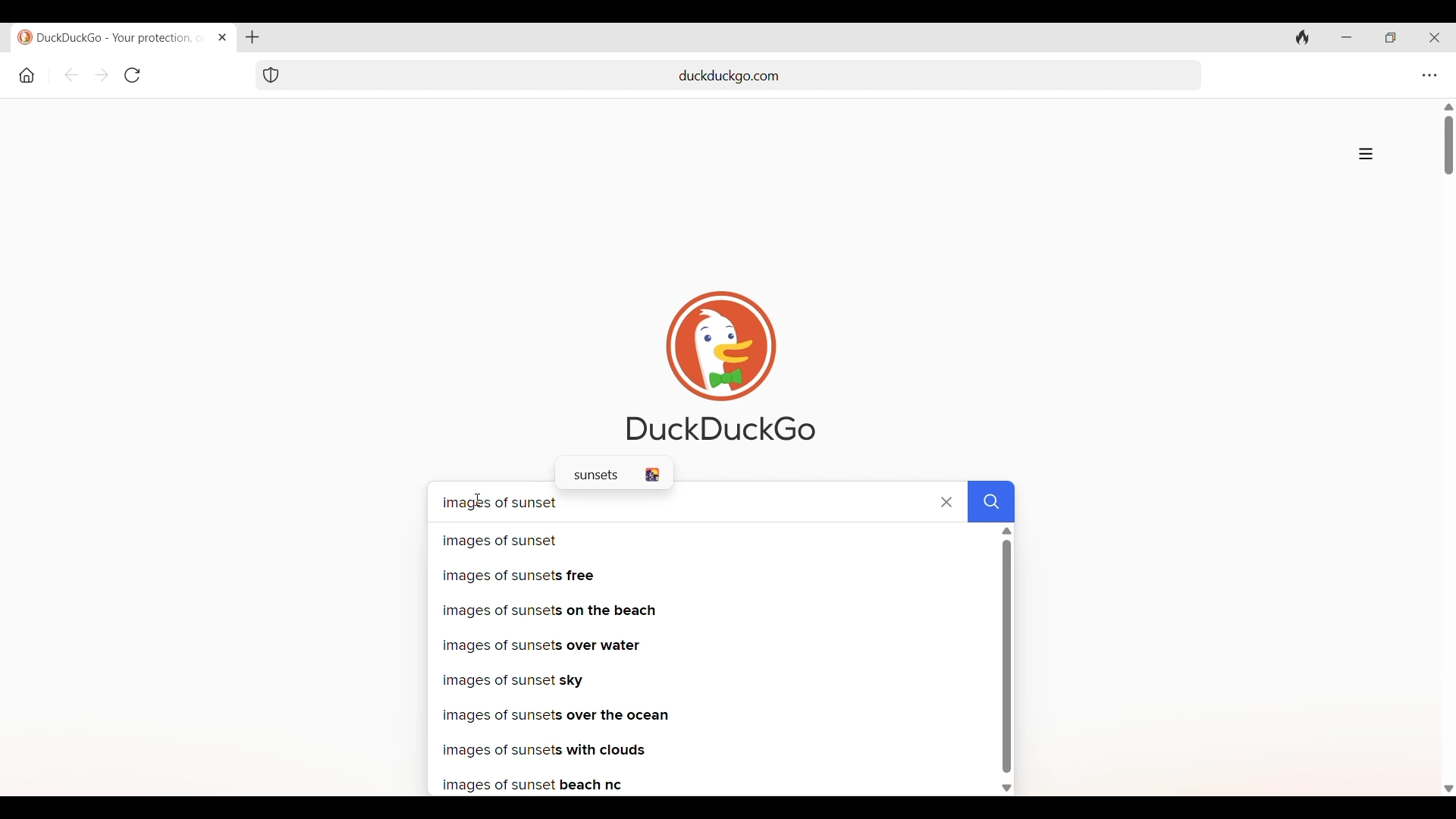 The height and width of the screenshot is (819, 1456). I want to click on Cursor , so click(480, 500).